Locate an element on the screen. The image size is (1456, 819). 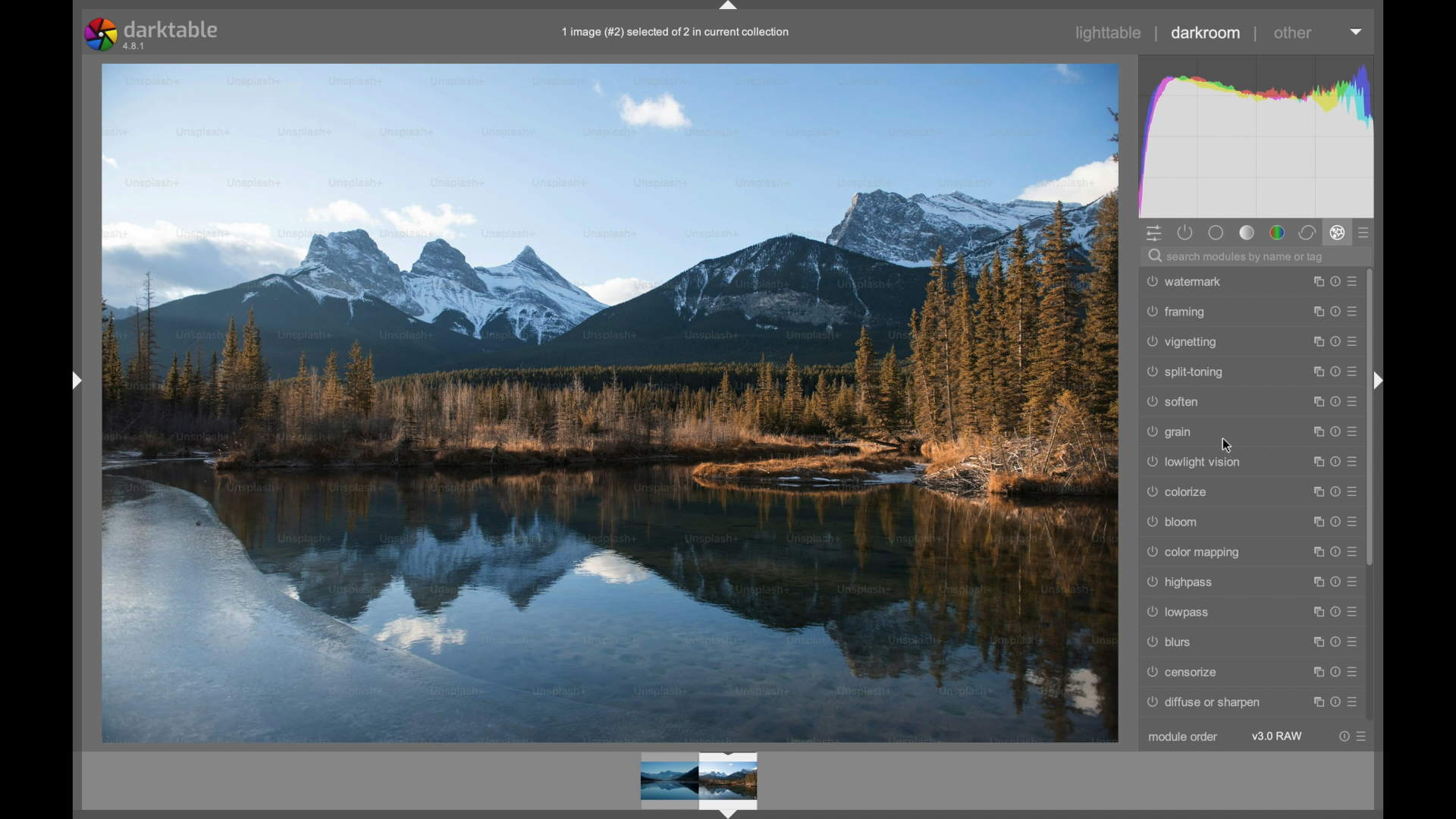
presets is located at coordinates (1355, 461).